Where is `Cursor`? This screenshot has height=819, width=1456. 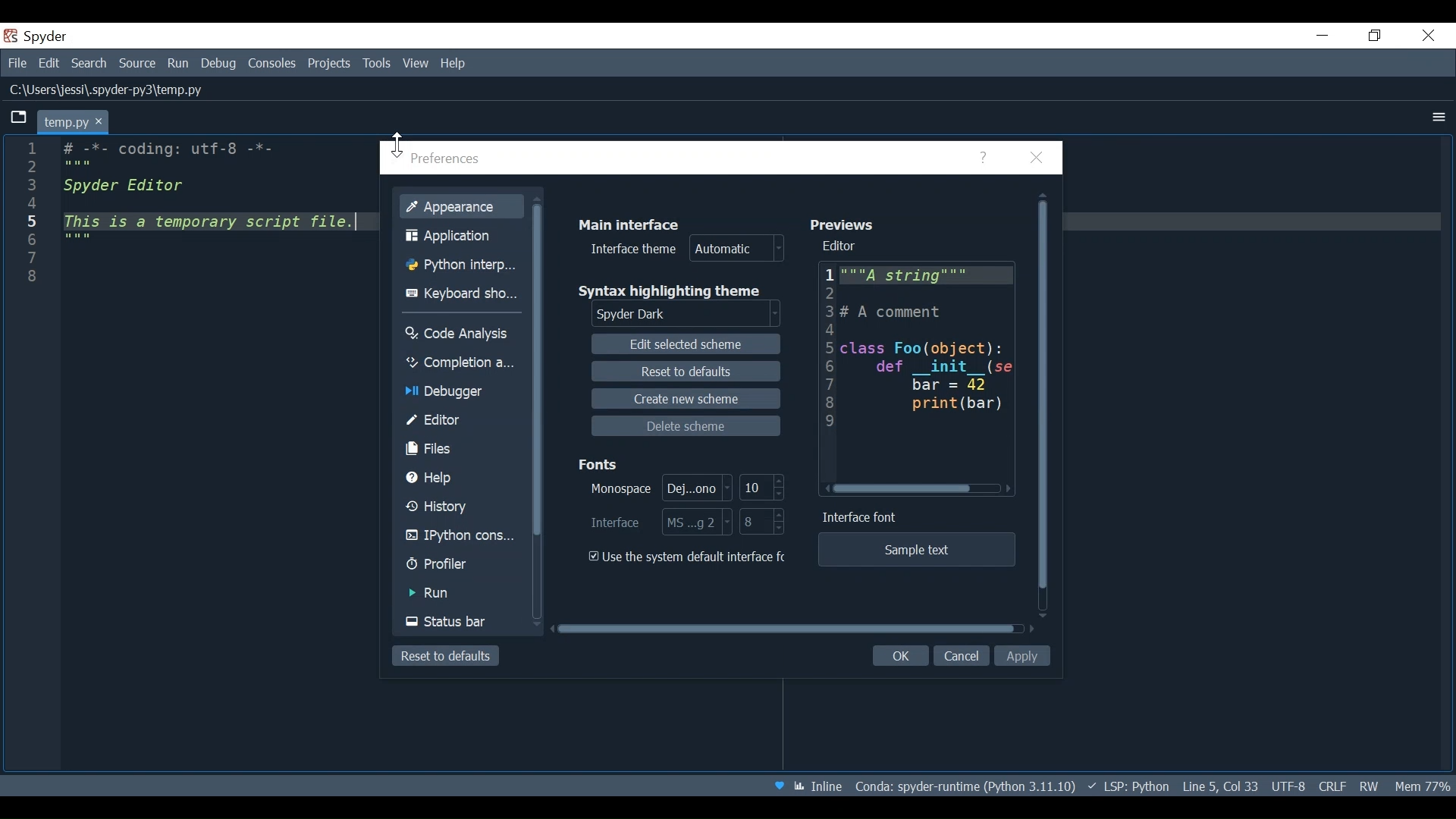 Cursor is located at coordinates (395, 143).